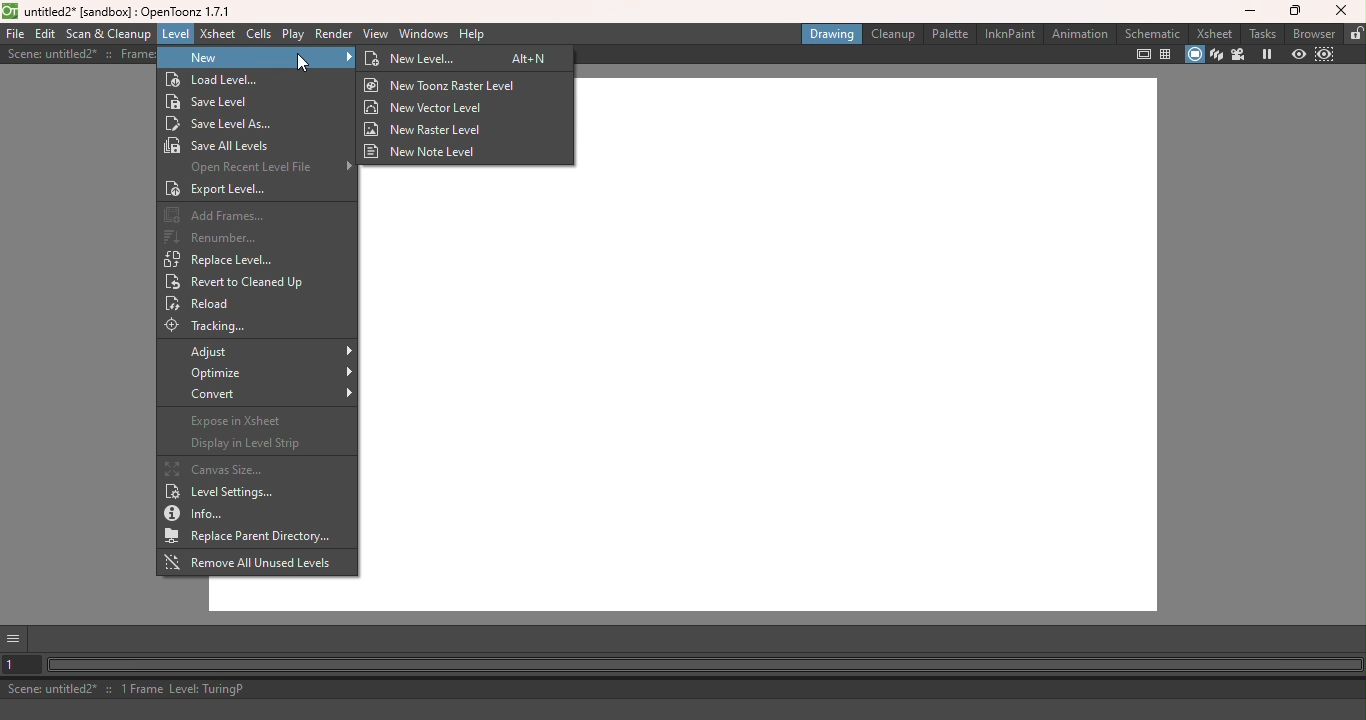 The height and width of the screenshot is (720, 1366). What do you see at coordinates (250, 562) in the screenshot?
I see `Remove all unused levels` at bounding box center [250, 562].